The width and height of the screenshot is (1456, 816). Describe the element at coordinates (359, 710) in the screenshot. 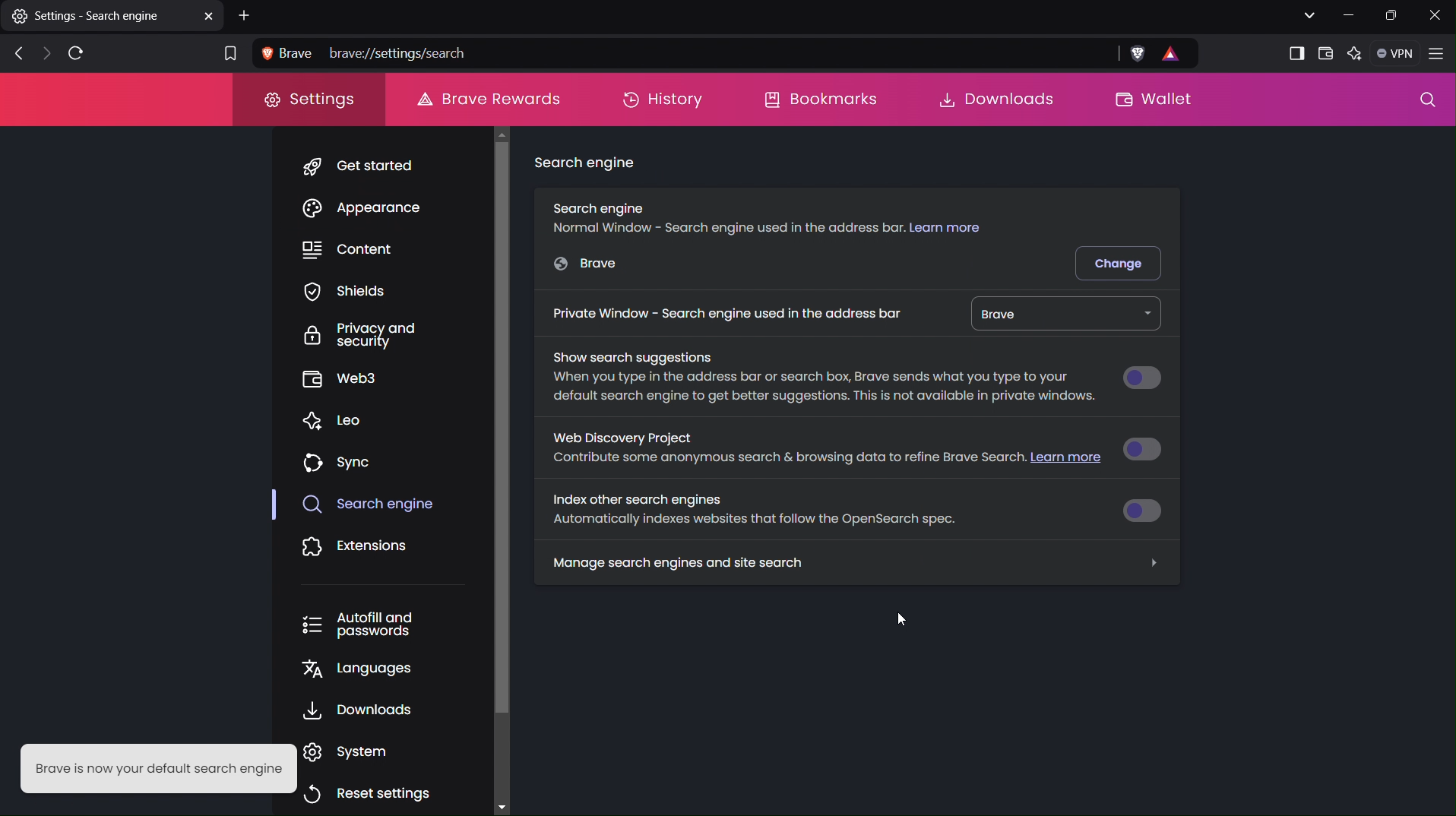

I see `Downloads` at that location.